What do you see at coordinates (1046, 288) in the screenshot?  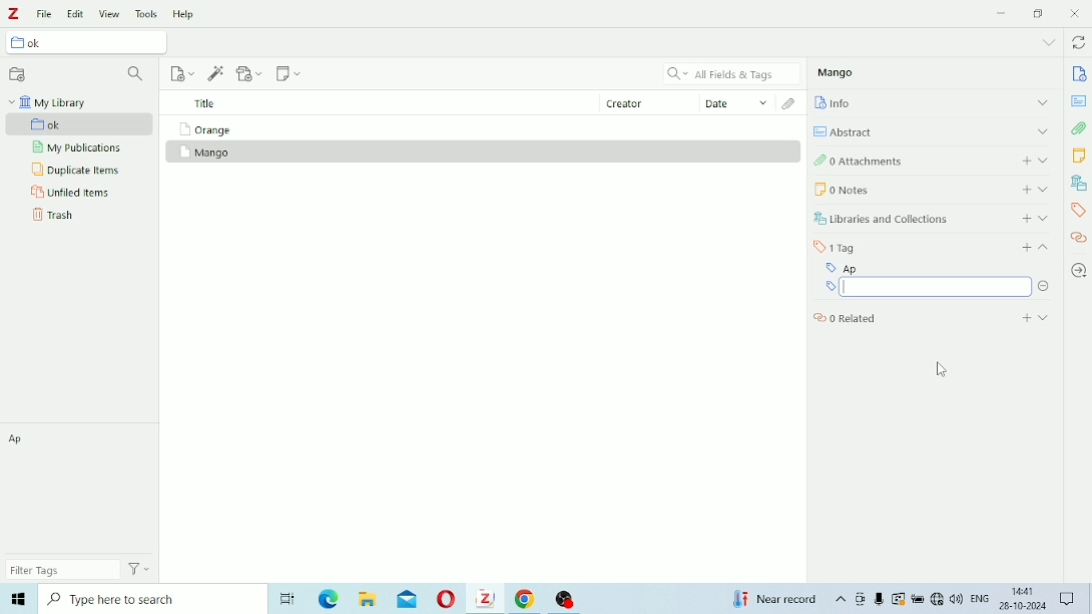 I see `Hide` at bounding box center [1046, 288].